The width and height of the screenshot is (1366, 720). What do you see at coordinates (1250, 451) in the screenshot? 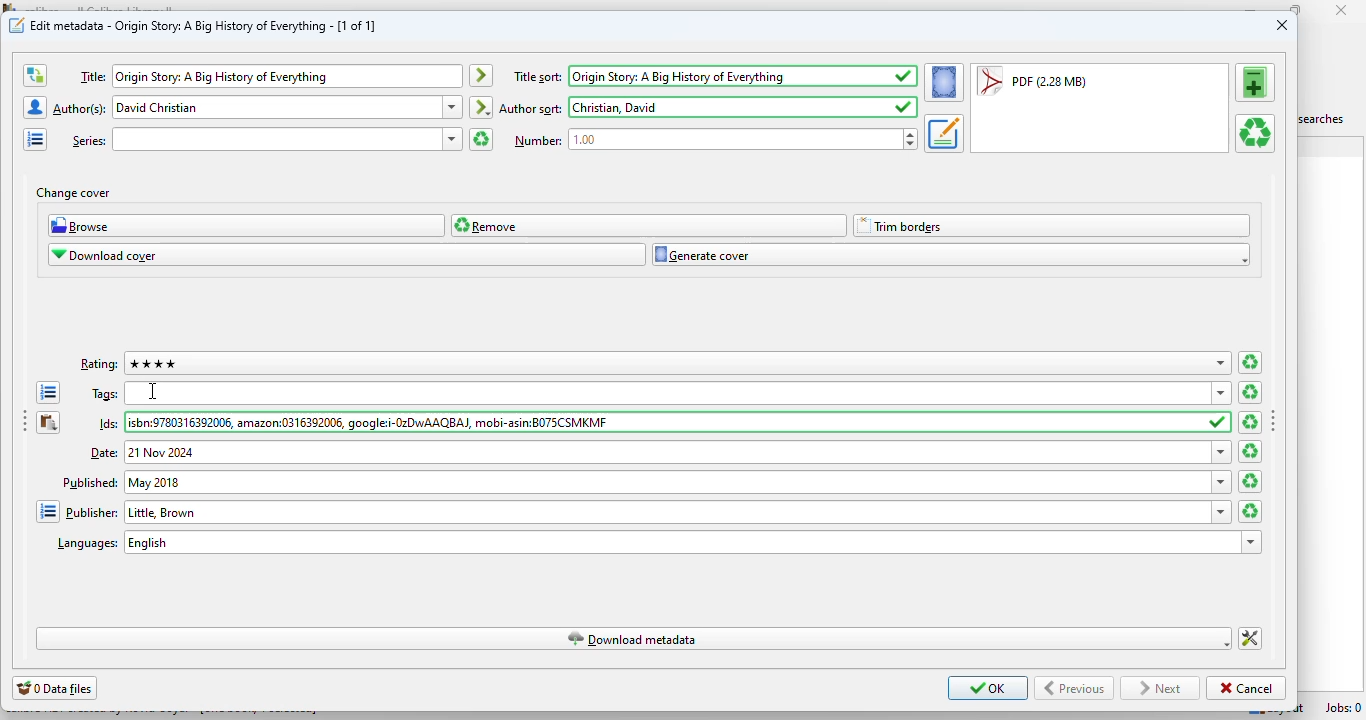
I see `clear date` at bounding box center [1250, 451].